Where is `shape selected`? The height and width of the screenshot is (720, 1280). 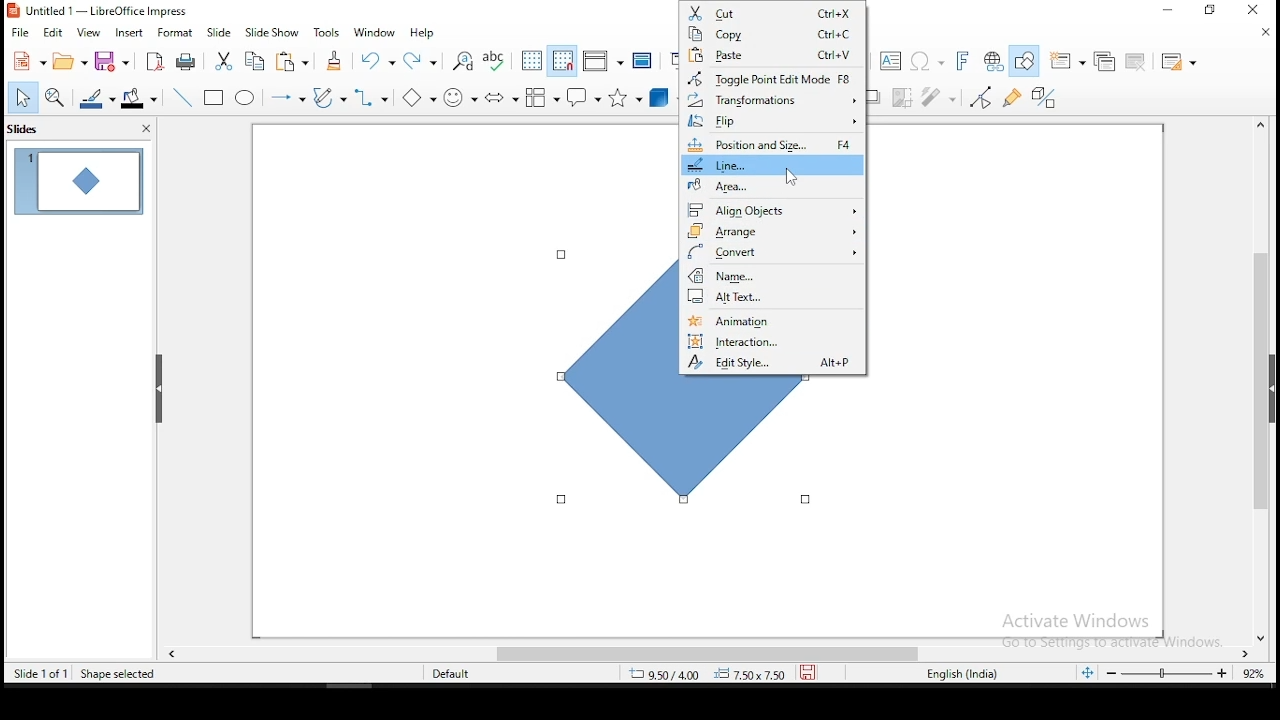
shape selected is located at coordinates (118, 672).